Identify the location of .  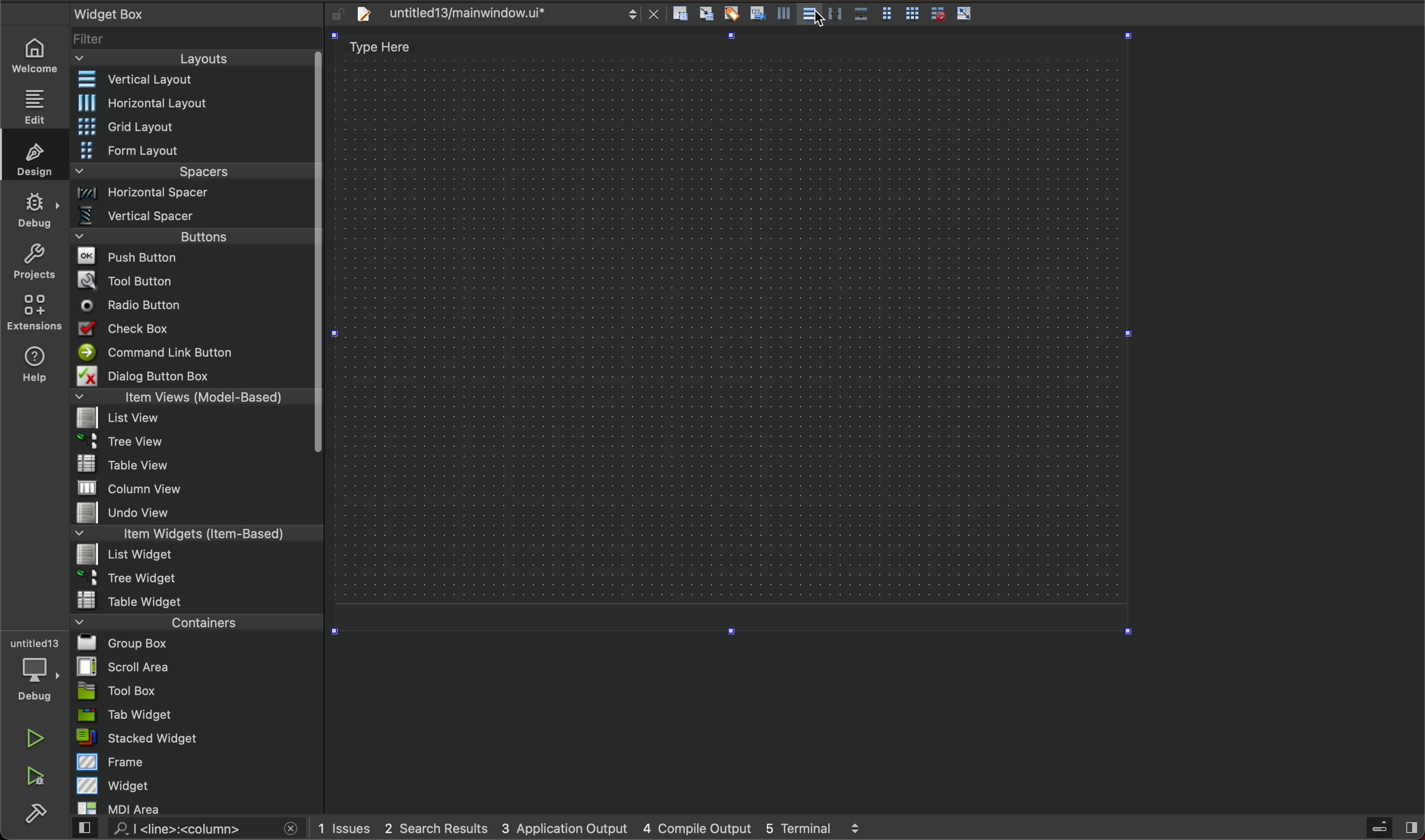
(707, 13).